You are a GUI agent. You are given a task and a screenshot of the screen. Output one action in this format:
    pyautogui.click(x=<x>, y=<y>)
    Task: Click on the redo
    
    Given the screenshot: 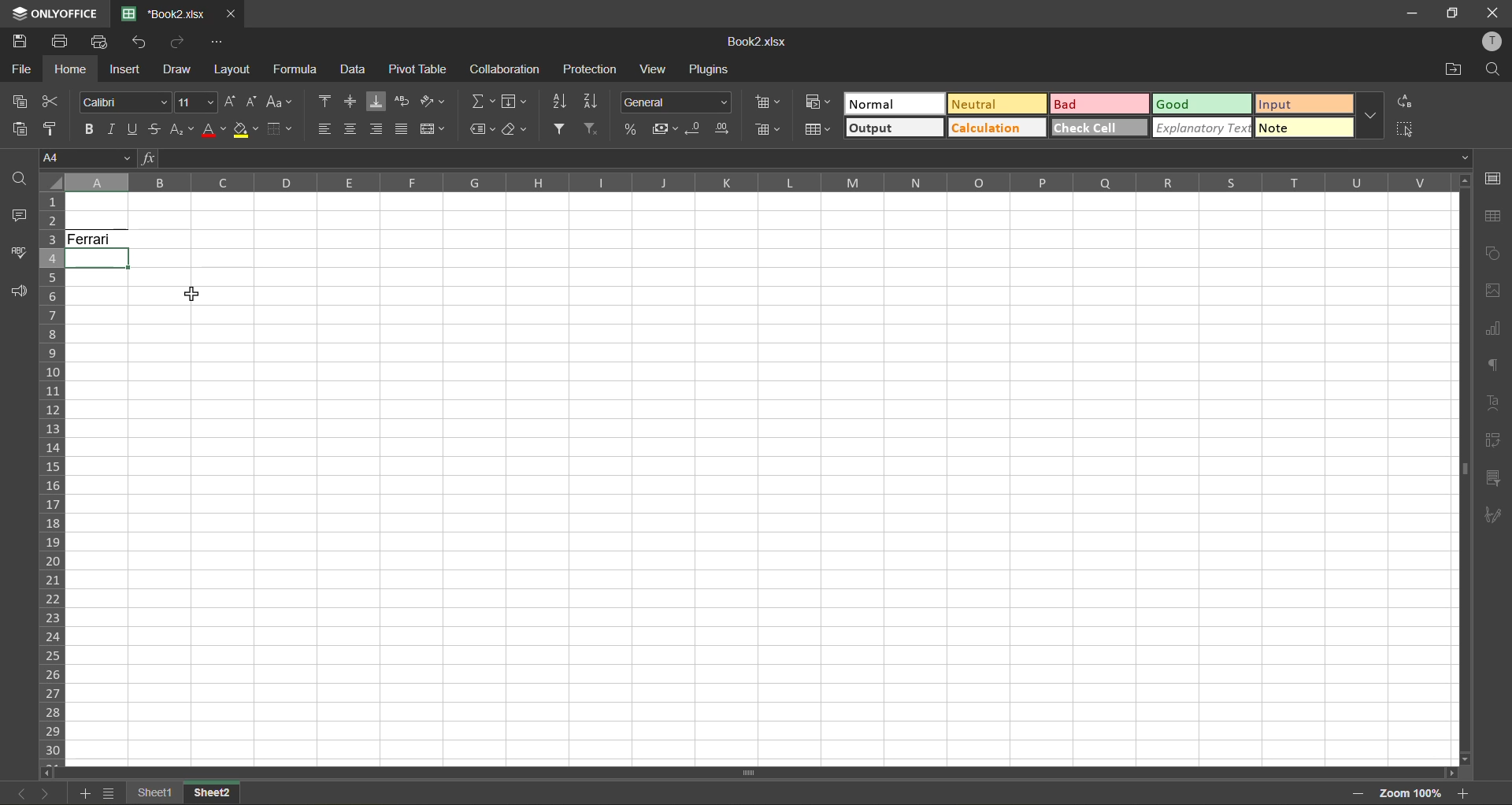 What is the action you would take?
    pyautogui.click(x=179, y=43)
    